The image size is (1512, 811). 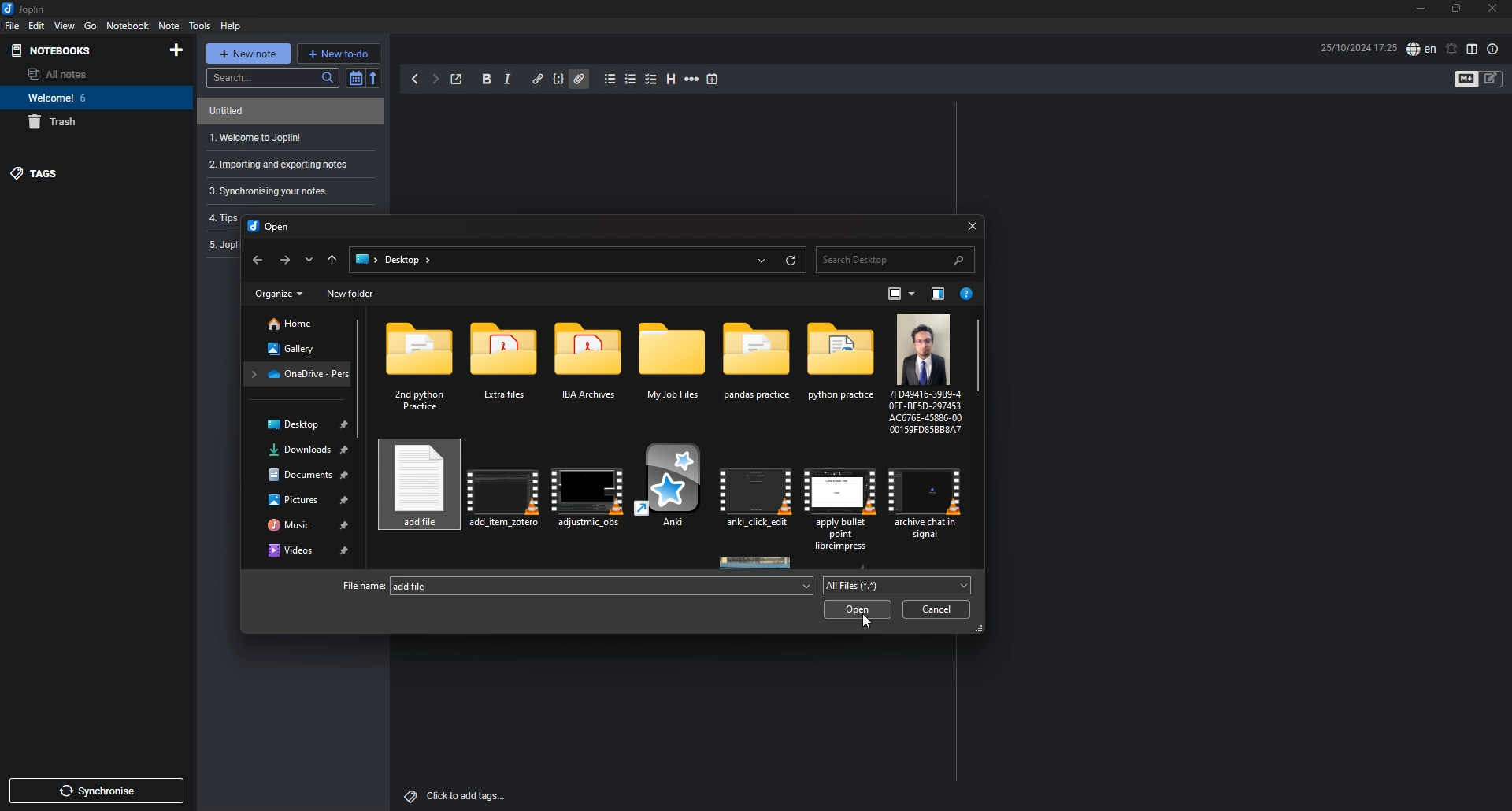 What do you see at coordinates (631, 79) in the screenshot?
I see `numbered list` at bounding box center [631, 79].